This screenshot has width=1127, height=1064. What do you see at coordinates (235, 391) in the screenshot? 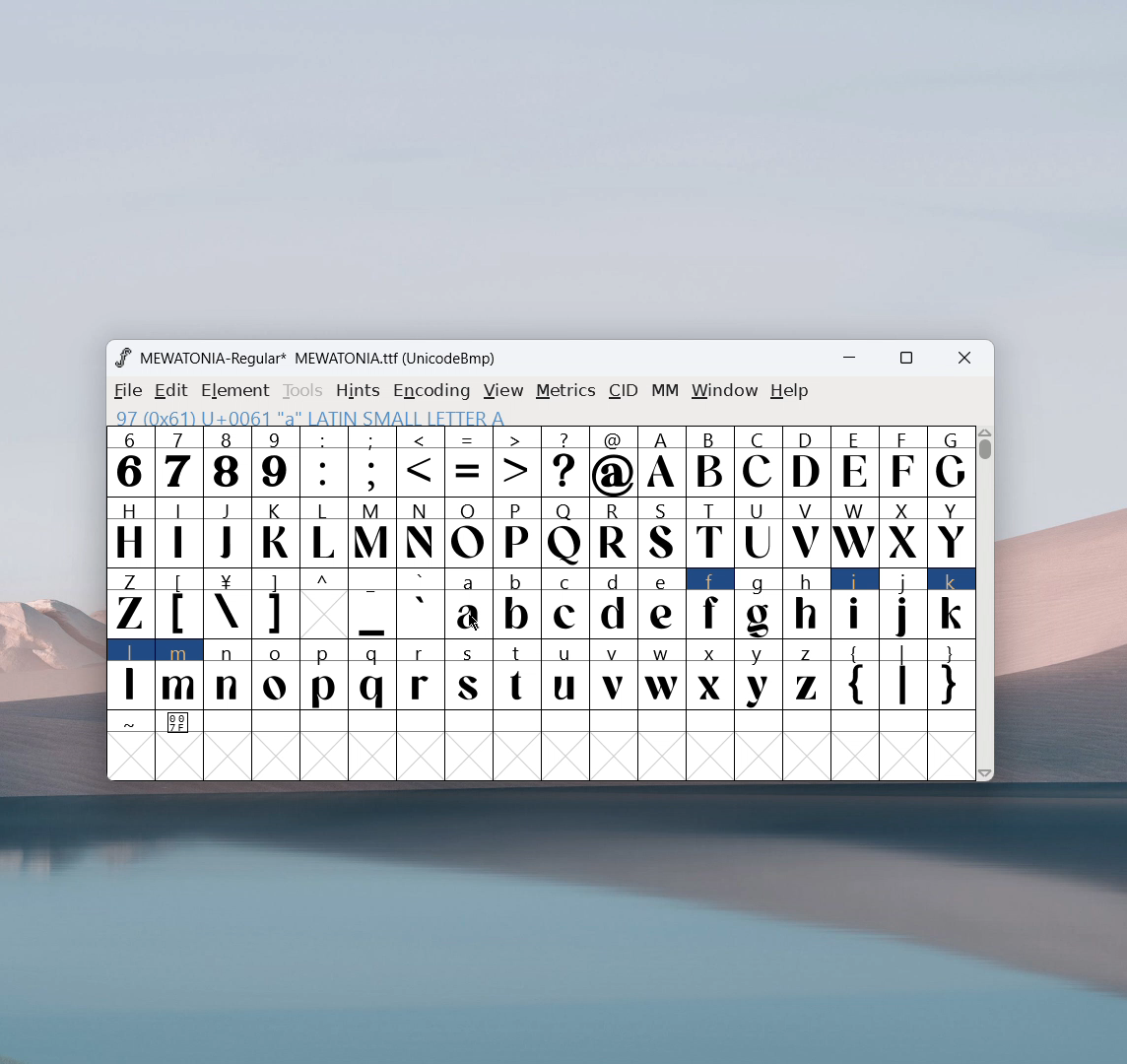
I see `element` at bounding box center [235, 391].